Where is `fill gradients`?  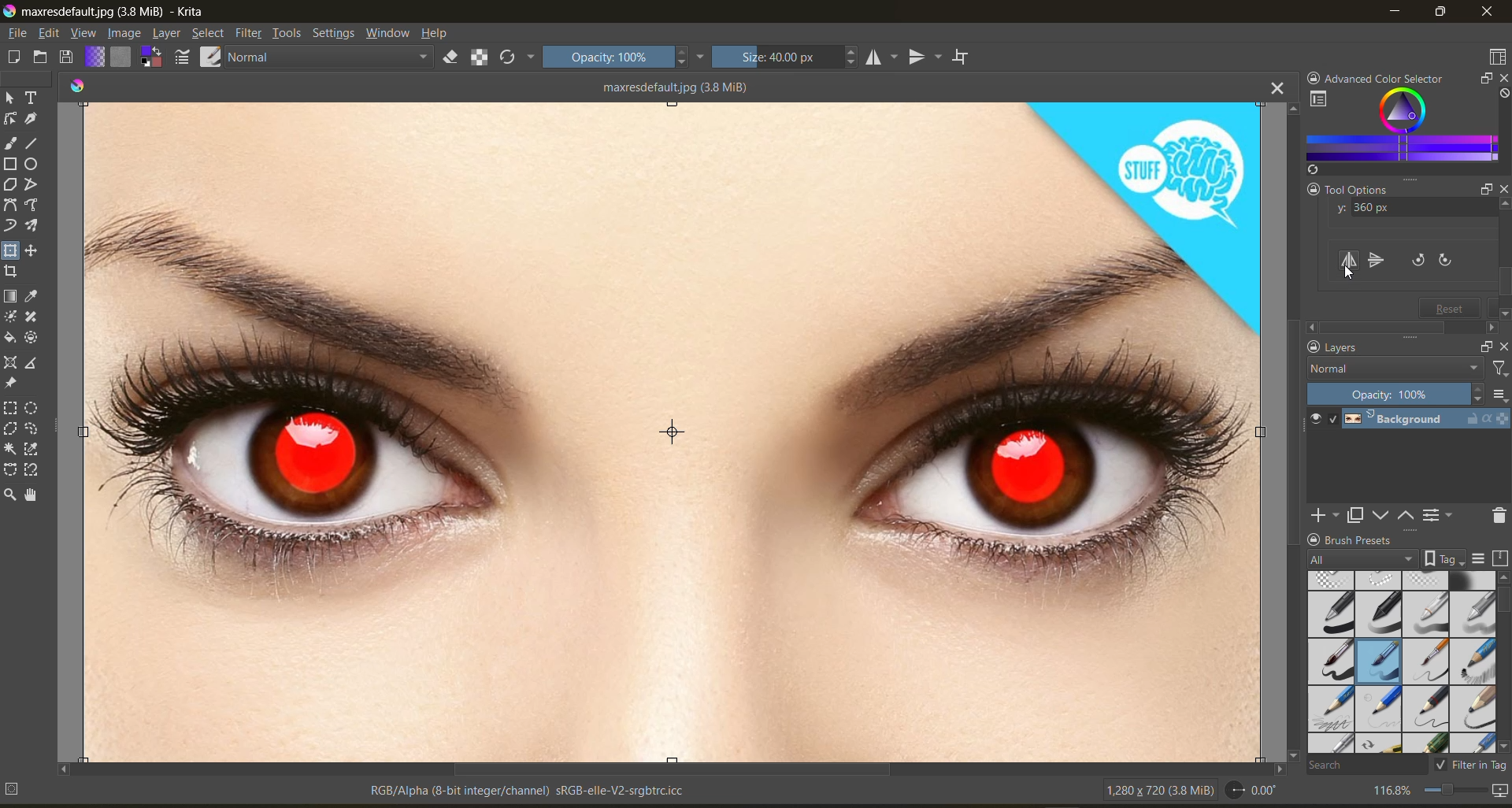 fill gradients is located at coordinates (97, 56).